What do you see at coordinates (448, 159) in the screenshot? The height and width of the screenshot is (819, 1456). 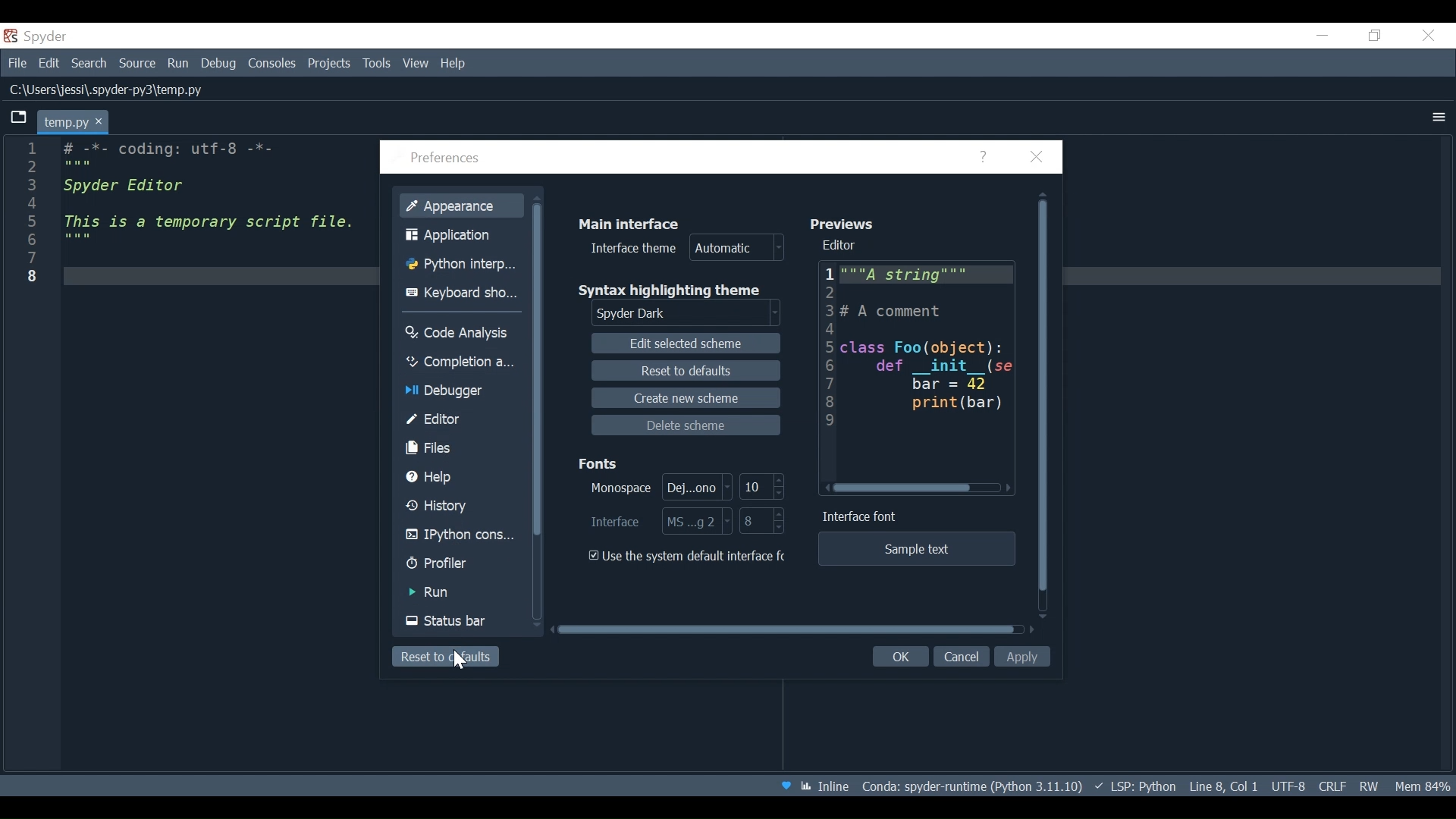 I see `Preferences` at bounding box center [448, 159].